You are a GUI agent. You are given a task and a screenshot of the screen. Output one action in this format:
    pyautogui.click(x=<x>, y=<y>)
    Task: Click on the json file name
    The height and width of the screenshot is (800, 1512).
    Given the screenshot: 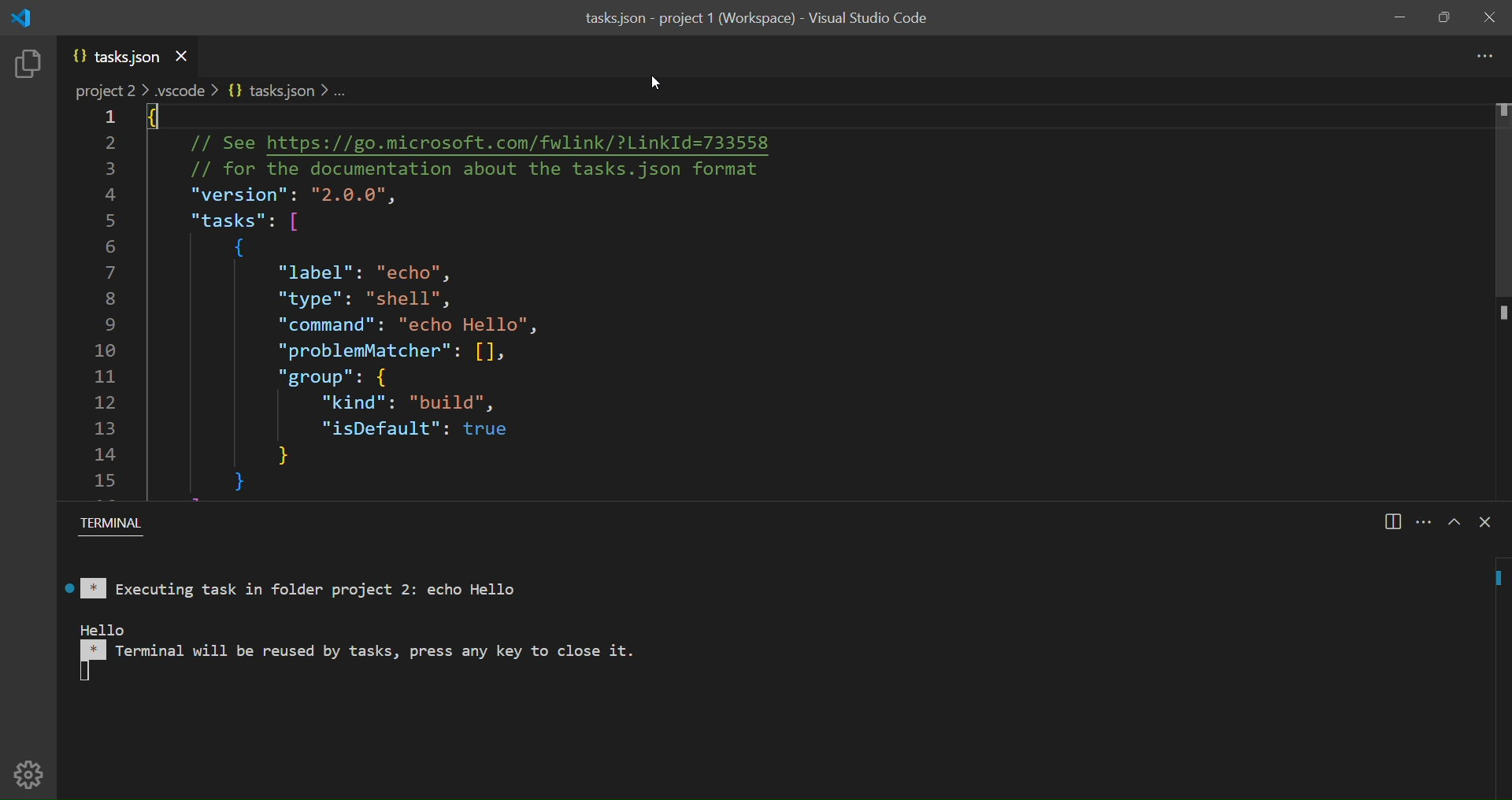 What is the action you would take?
    pyautogui.click(x=117, y=57)
    